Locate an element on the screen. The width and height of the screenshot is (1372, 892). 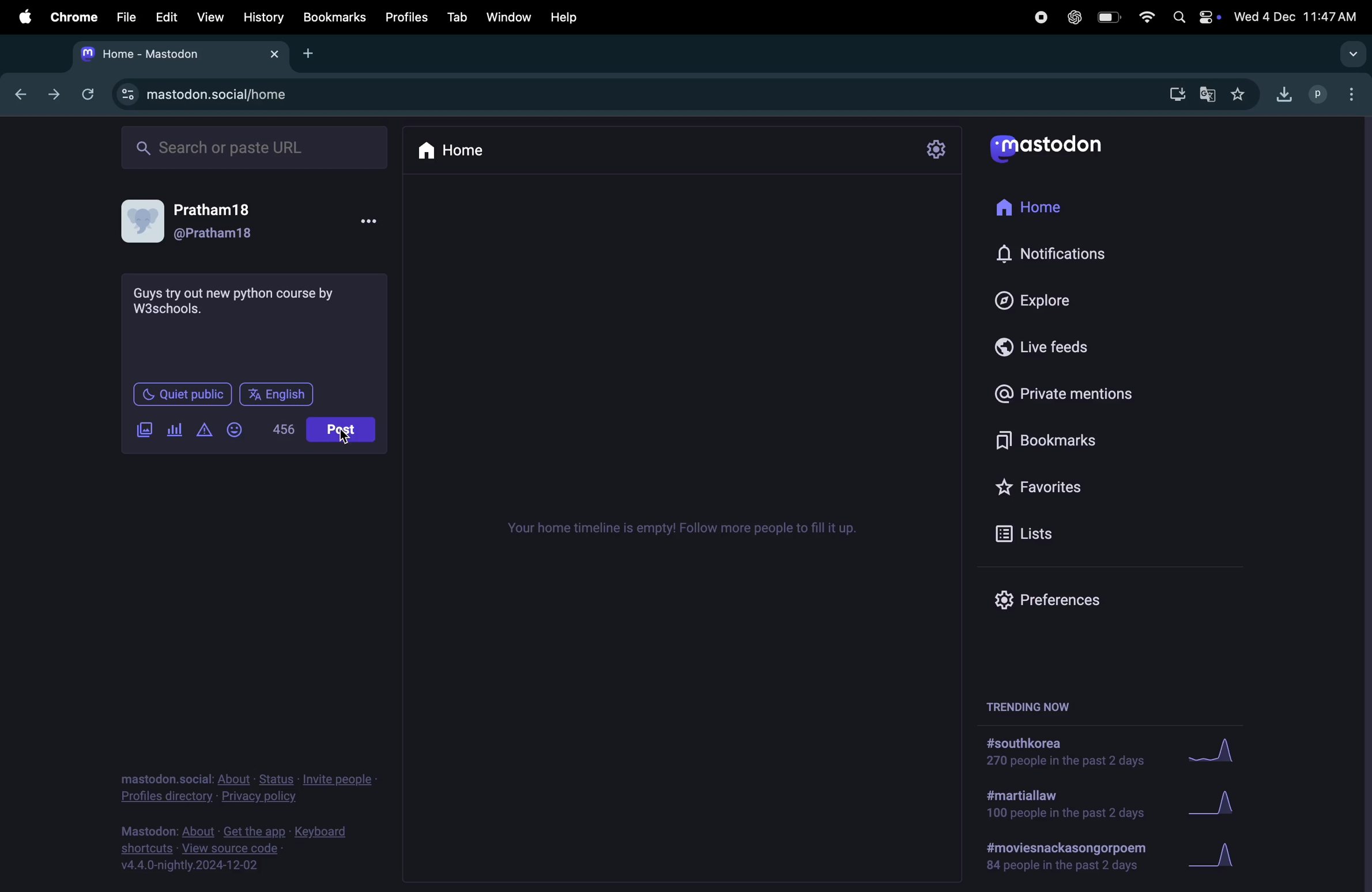
preferences is located at coordinates (1046, 602).